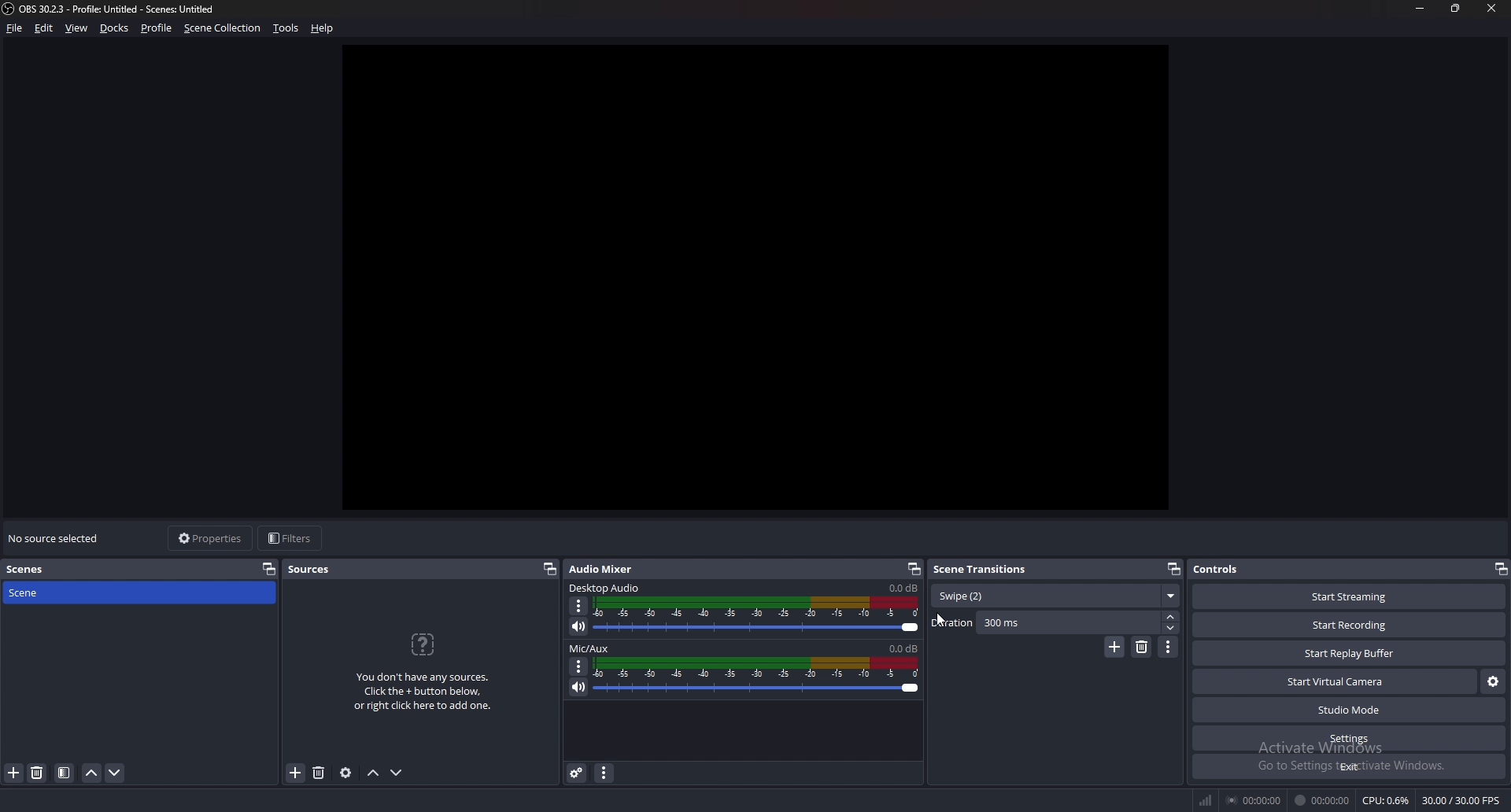  Describe the element at coordinates (1387, 801) in the screenshot. I see `CPU: 0.7%` at that location.